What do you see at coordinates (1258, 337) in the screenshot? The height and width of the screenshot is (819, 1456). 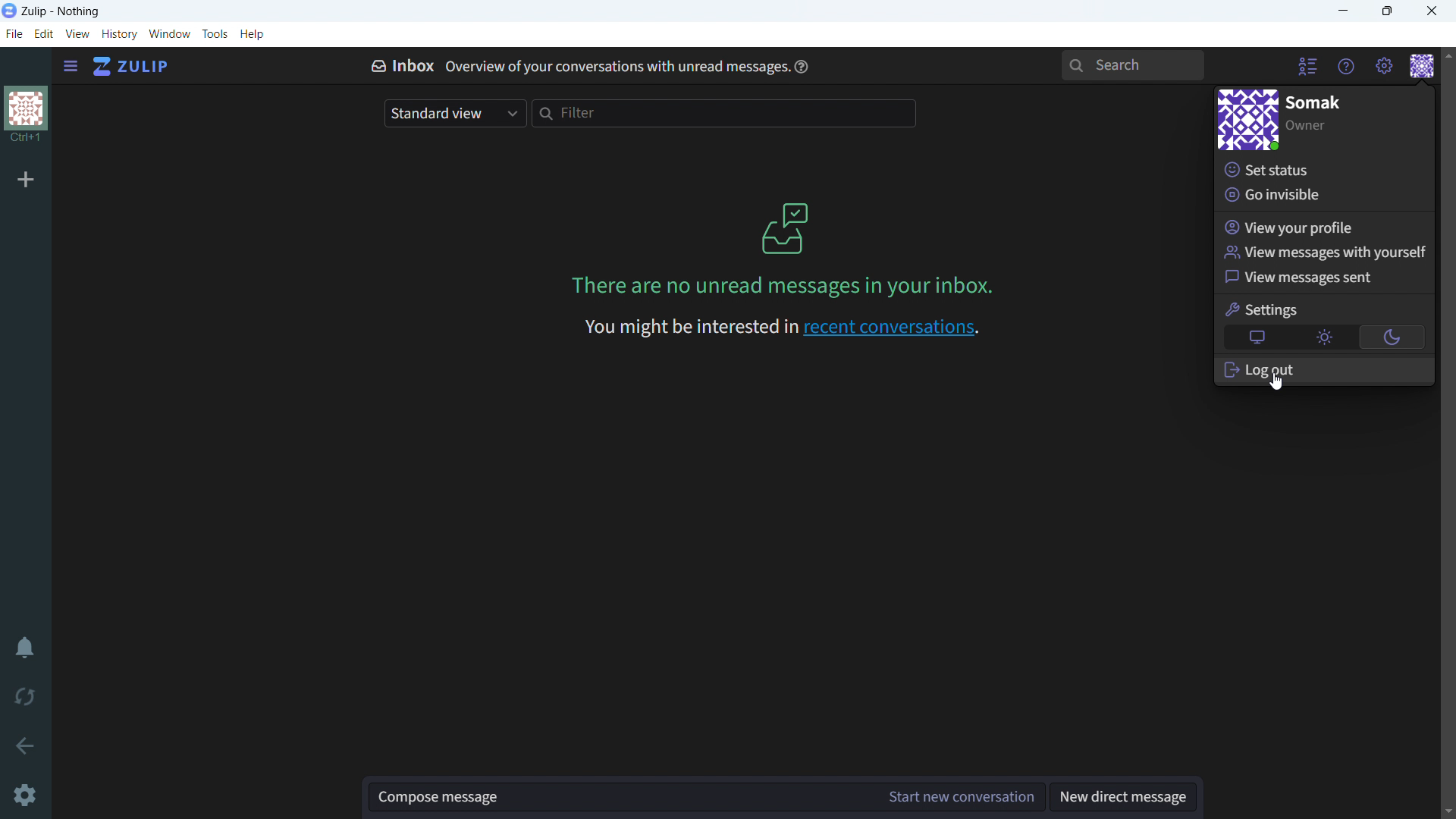 I see `automatic theme` at bounding box center [1258, 337].